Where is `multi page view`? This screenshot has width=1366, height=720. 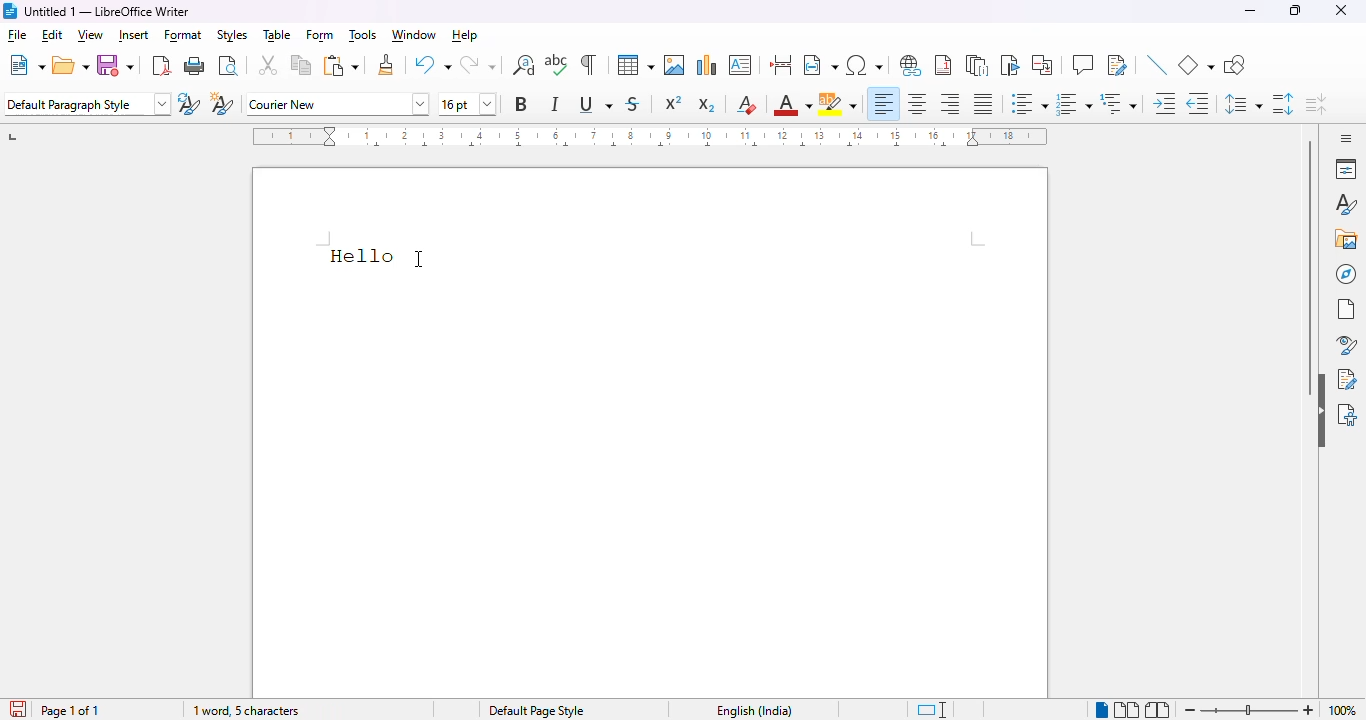 multi page view is located at coordinates (1127, 710).